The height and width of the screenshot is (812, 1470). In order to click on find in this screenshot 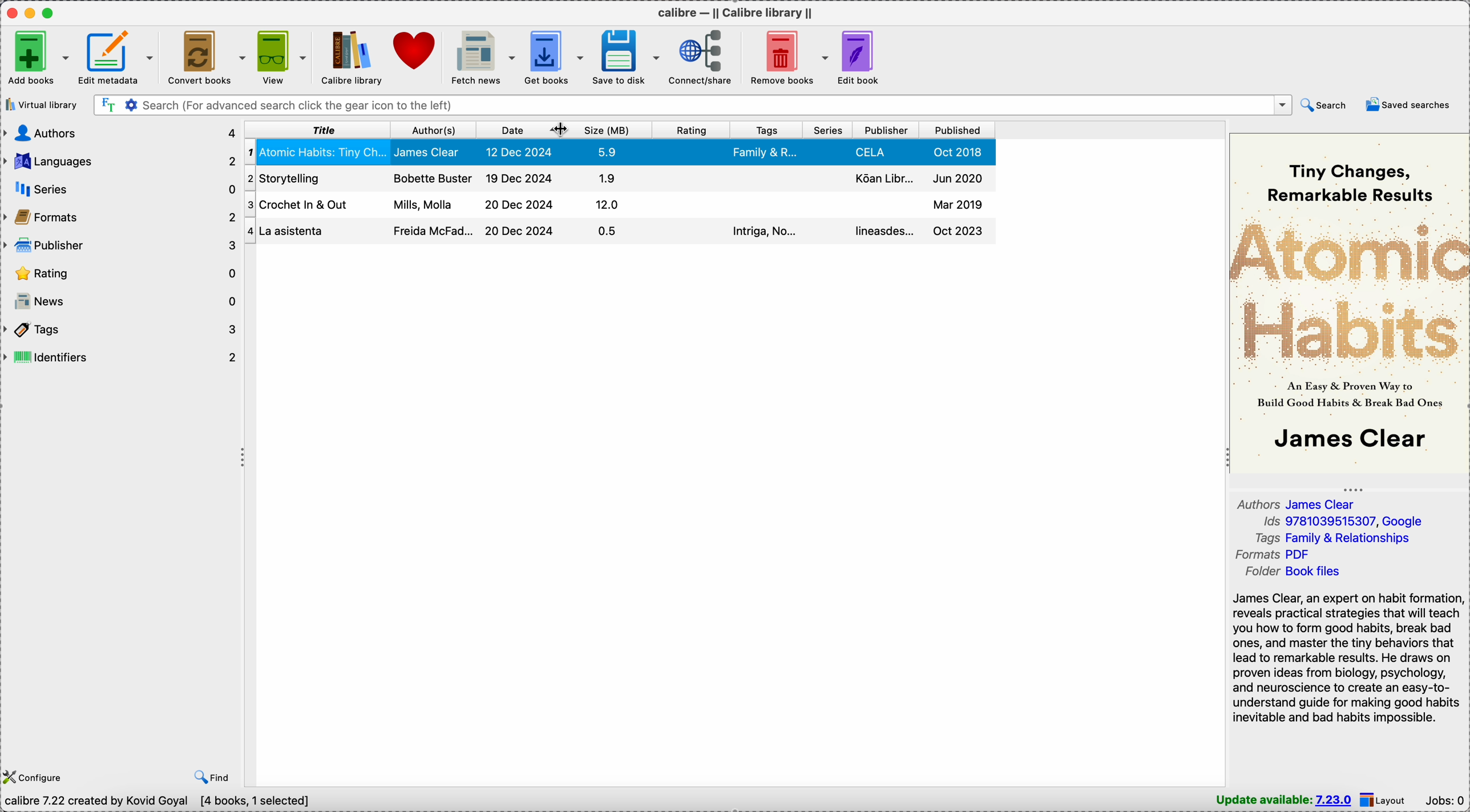, I will do `click(209, 776)`.